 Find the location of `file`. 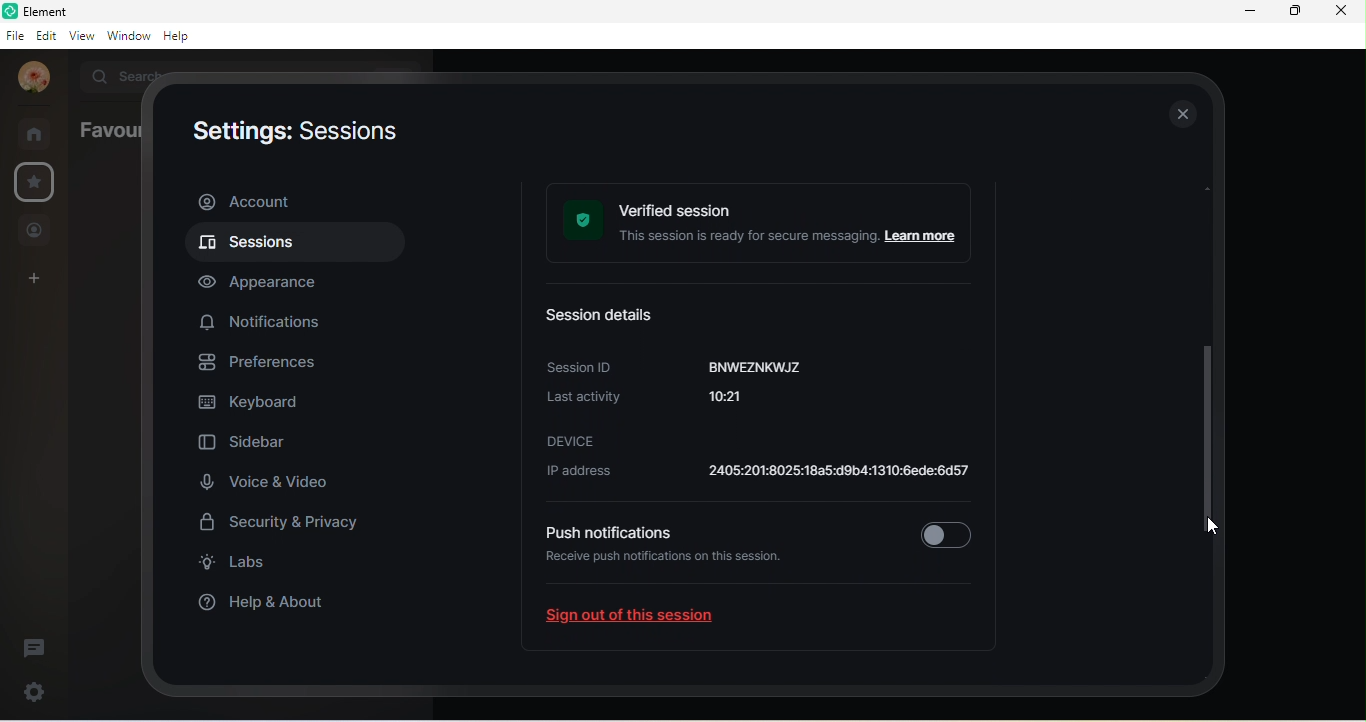

file is located at coordinates (14, 37).